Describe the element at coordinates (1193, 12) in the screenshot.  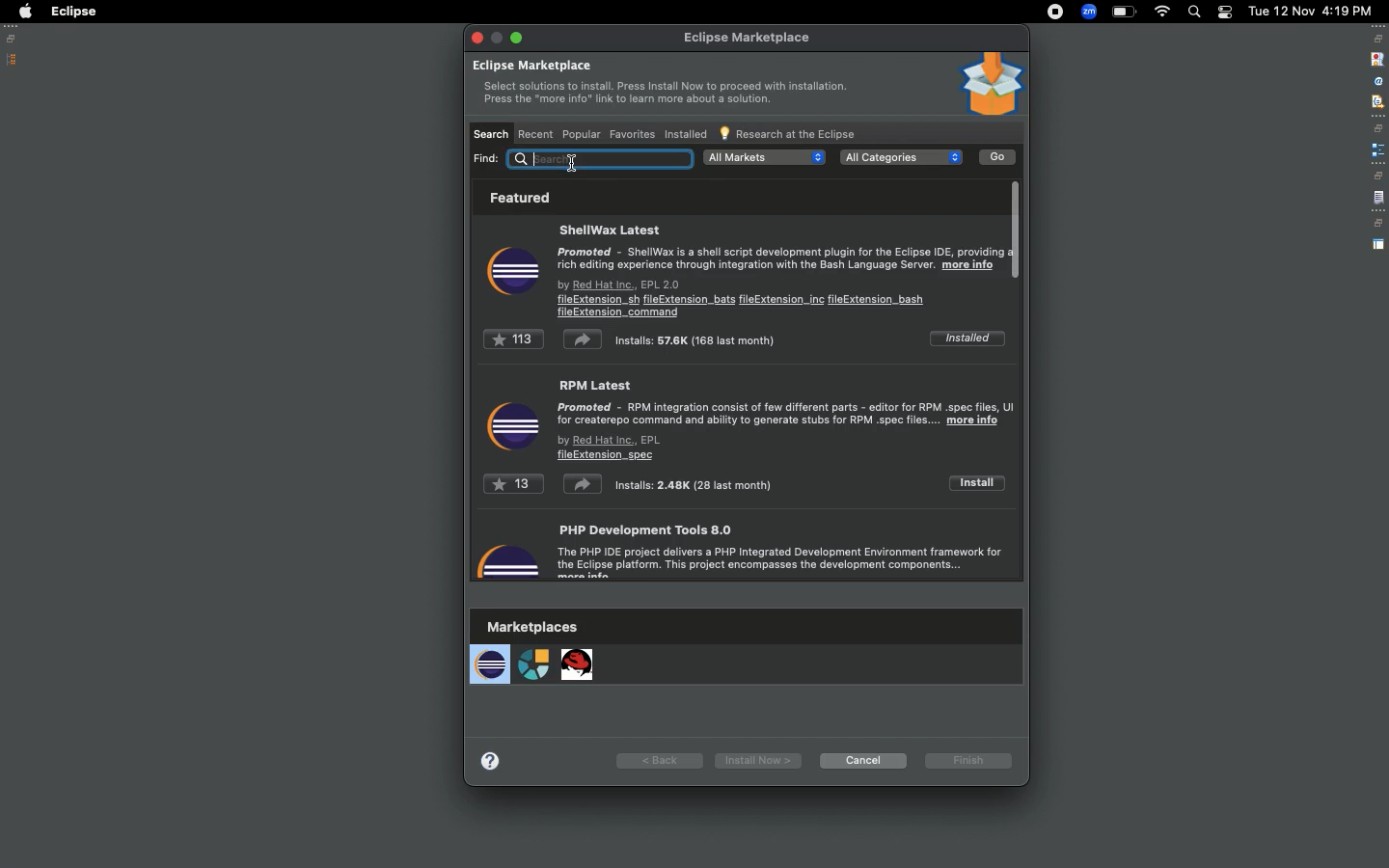
I see `Search` at that location.